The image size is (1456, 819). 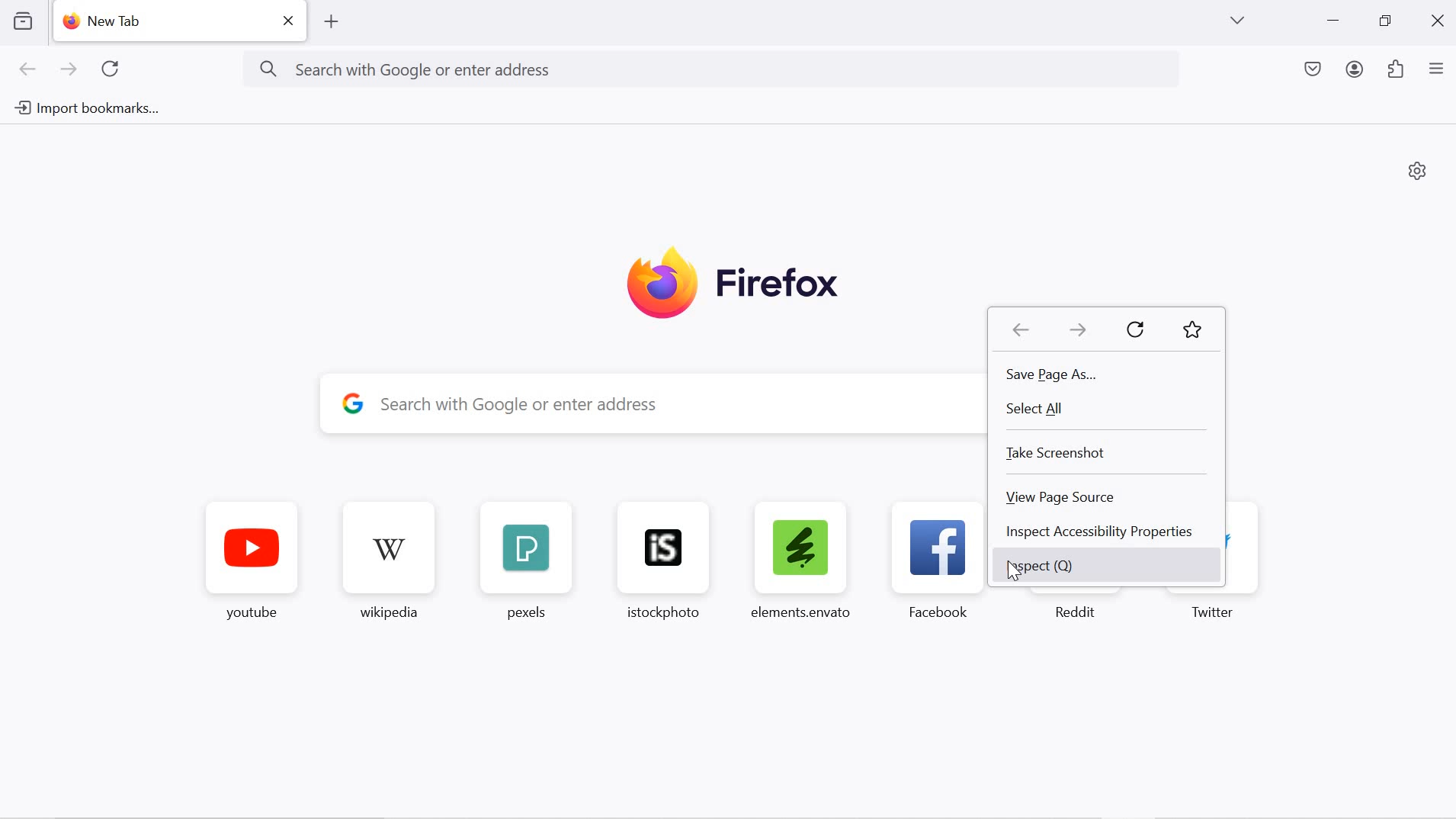 I want to click on Take screenshot, so click(x=1110, y=453).